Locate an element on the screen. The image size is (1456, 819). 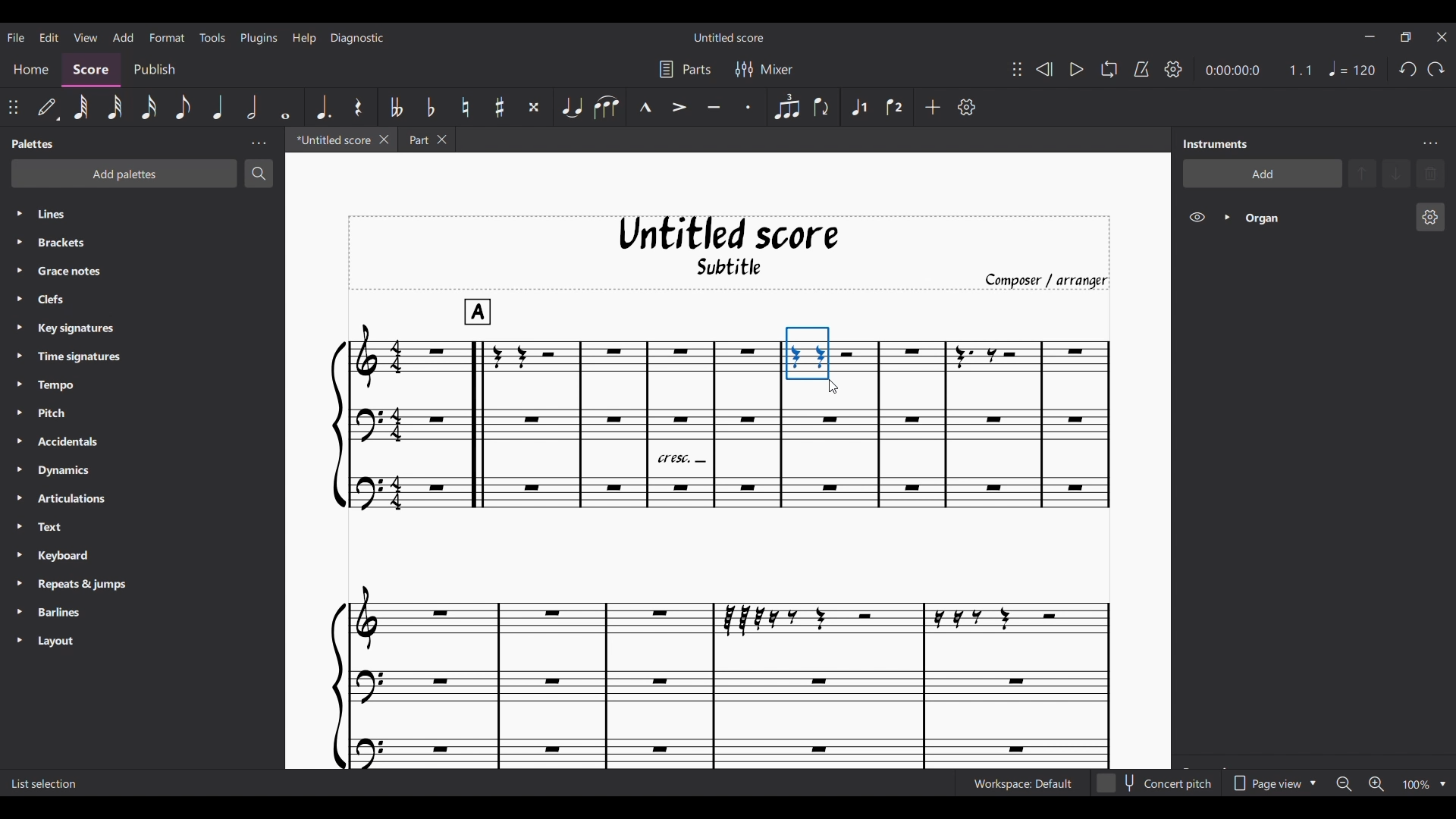
Slur is located at coordinates (605, 107).